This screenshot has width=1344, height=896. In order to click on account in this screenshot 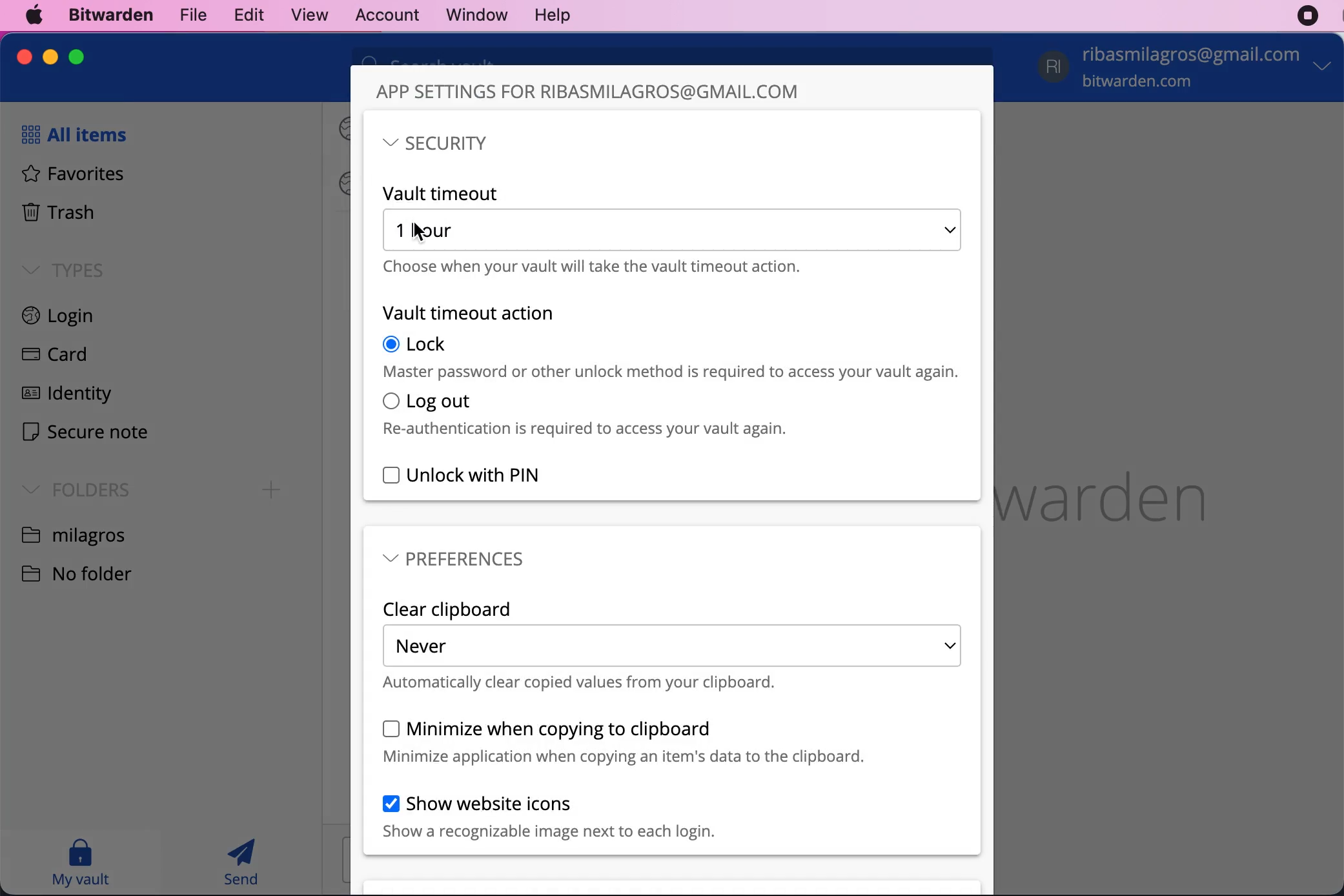, I will do `click(1188, 69)`.